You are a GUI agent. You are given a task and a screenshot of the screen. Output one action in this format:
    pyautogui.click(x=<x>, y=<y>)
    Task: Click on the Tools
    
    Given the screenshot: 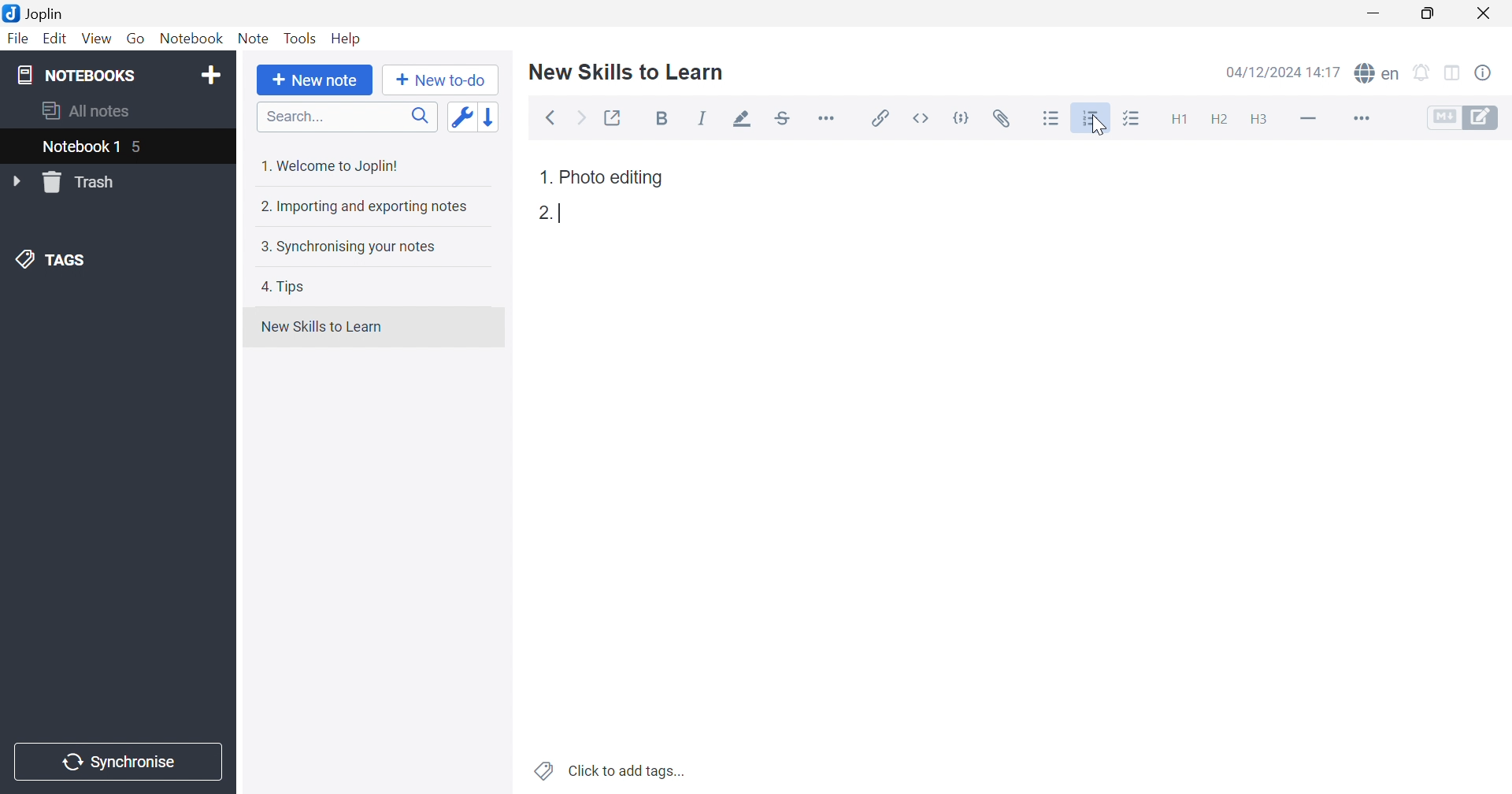 What is the action you would take?
    pyautogui.click(x=300, y=38)
    